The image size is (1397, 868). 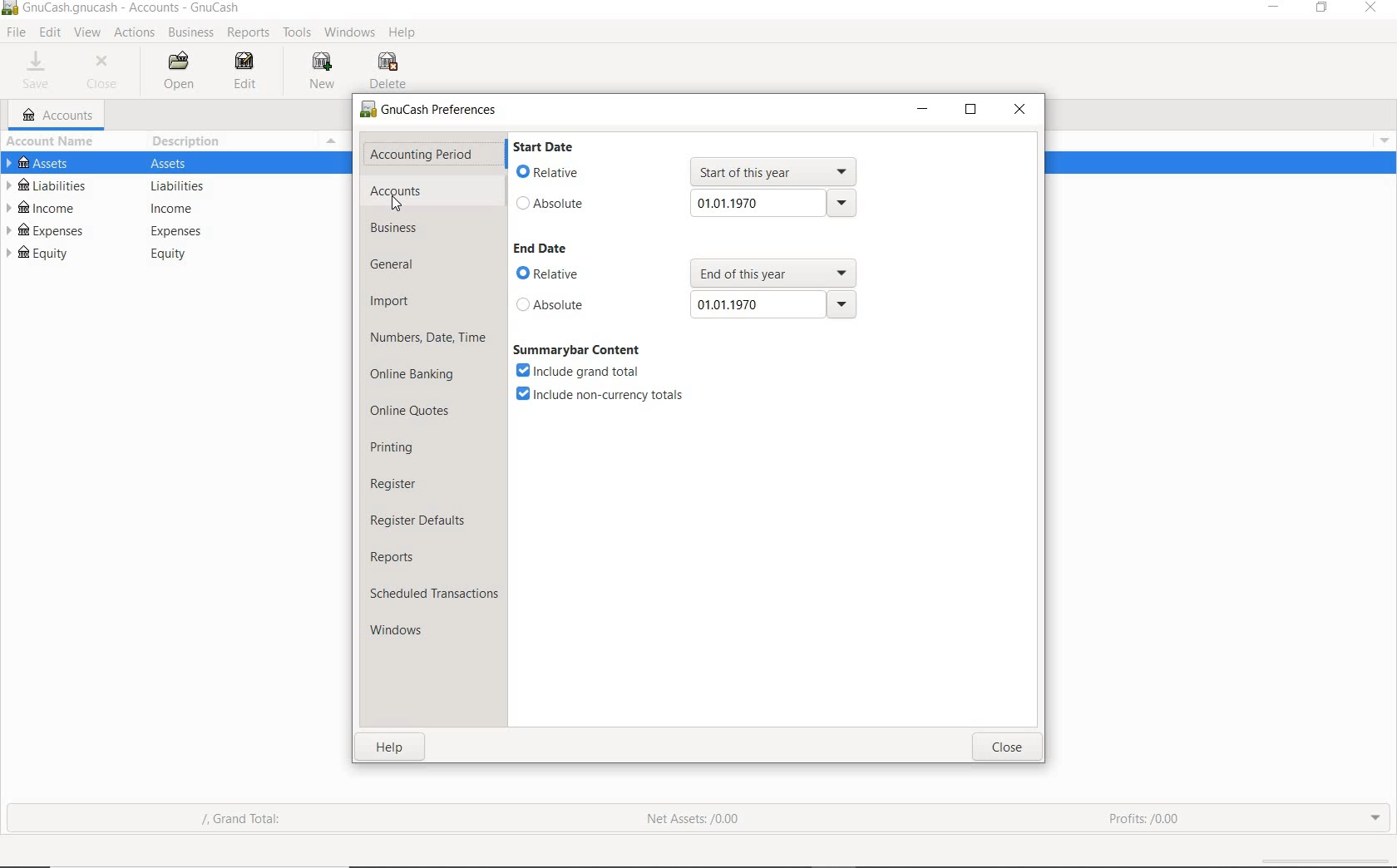 I want to click on DELETE, so click(x=392, y=71).